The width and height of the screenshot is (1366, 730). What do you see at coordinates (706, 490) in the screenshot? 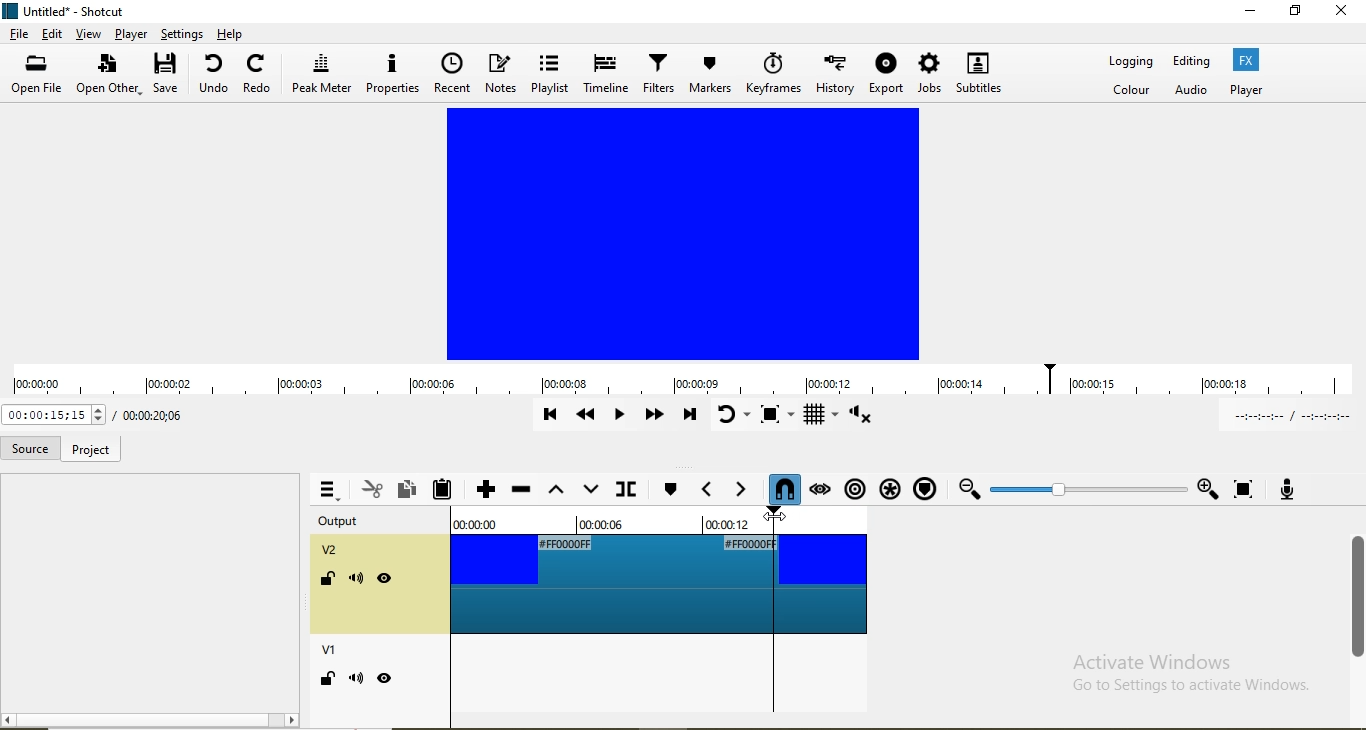
I see `Previous marker` at bounding box center [706, 490].